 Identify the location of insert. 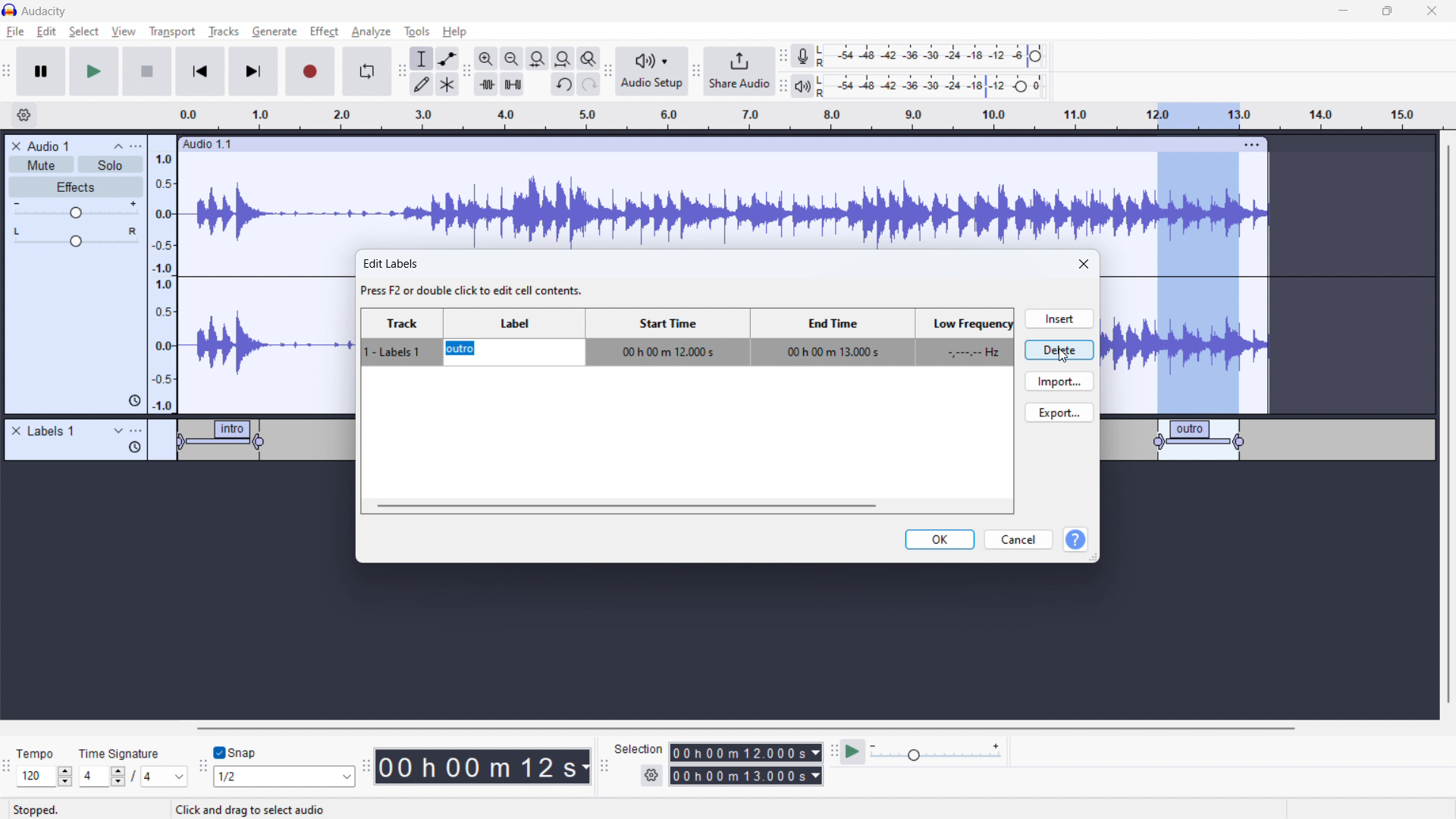
(1058, 318).